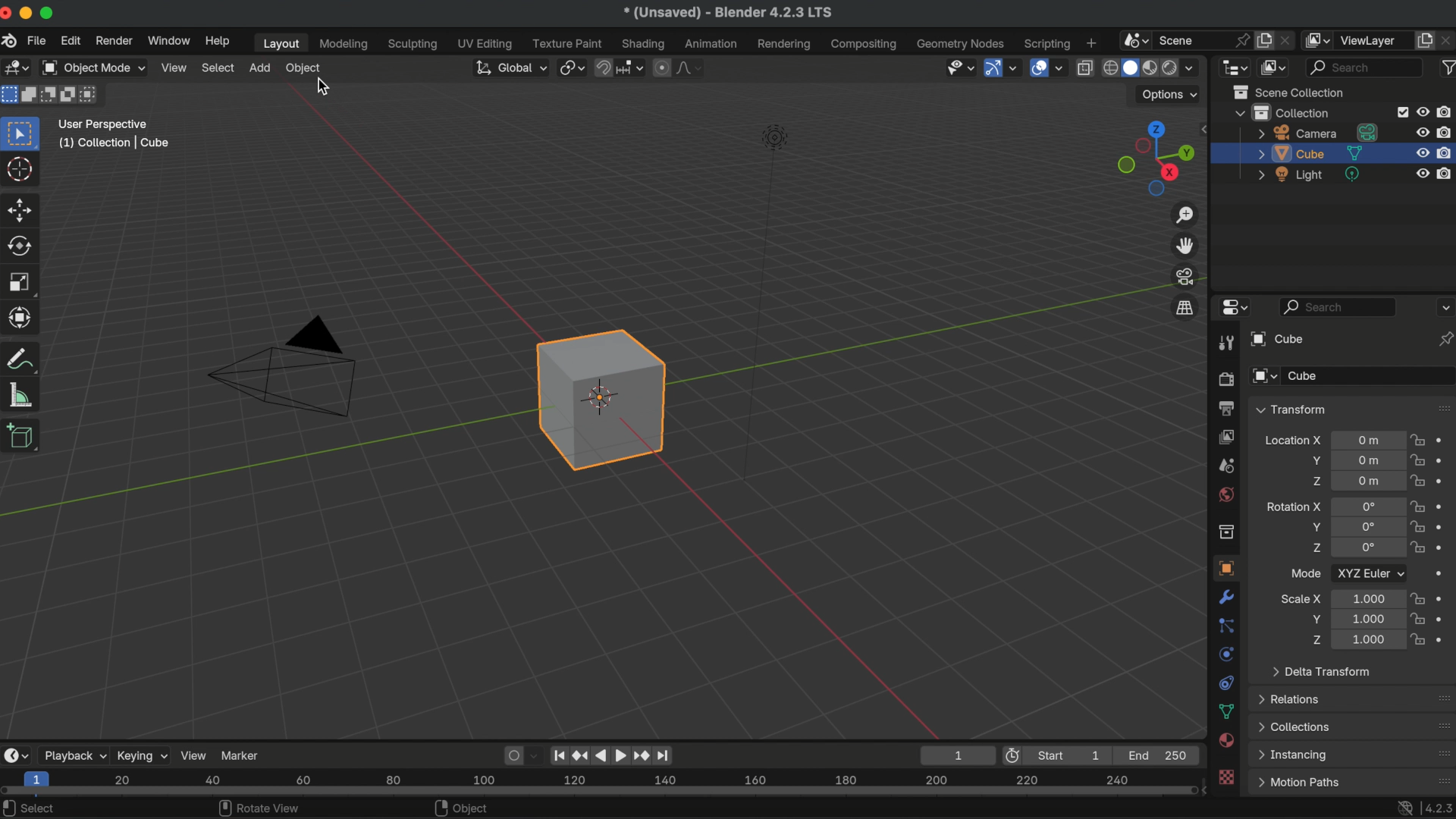  Describe the element at coordinates (168, 40) in the screenshot. I see `window` at that location.